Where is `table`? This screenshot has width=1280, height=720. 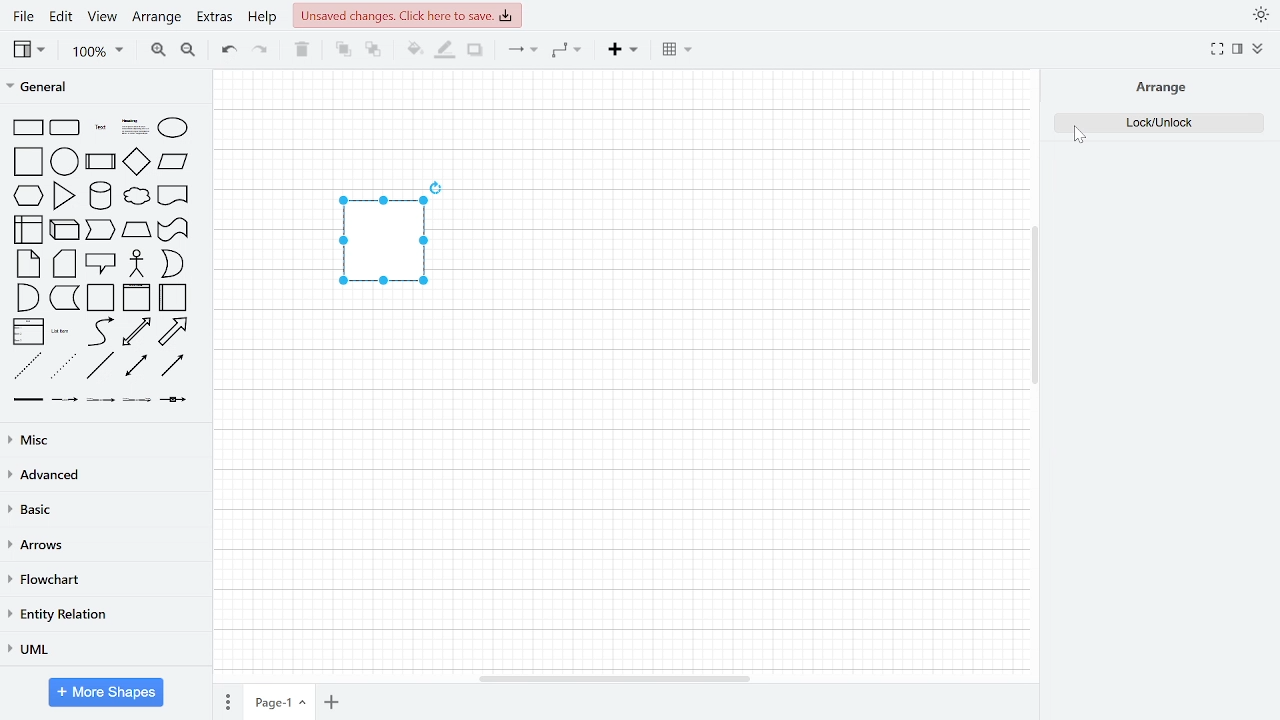 table is located at coordinates (676, 52).